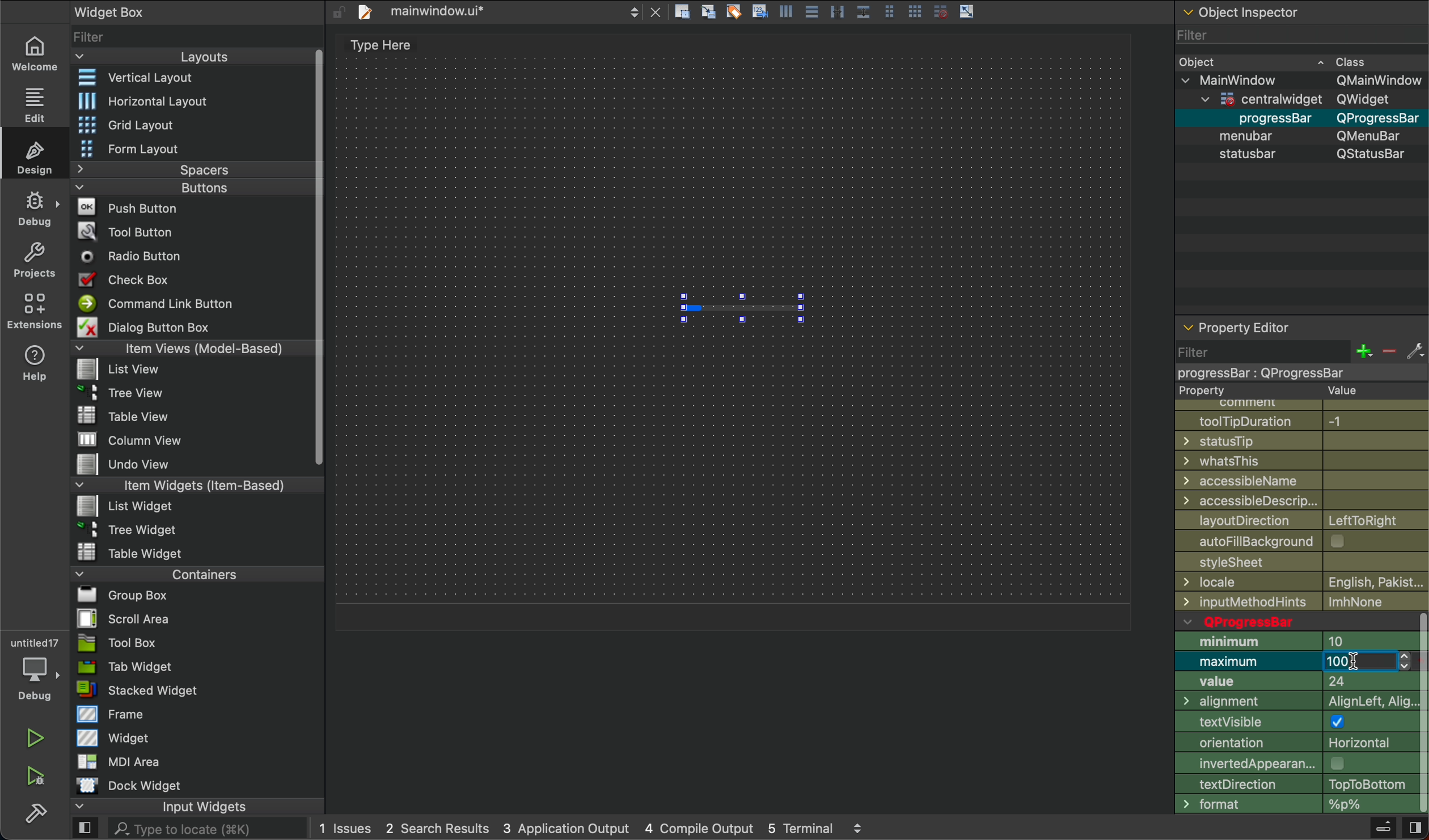  What do you see at coordinates (1294, 724) in the screenshot?
I see `testVisible` at bounding box center [1294, 724].